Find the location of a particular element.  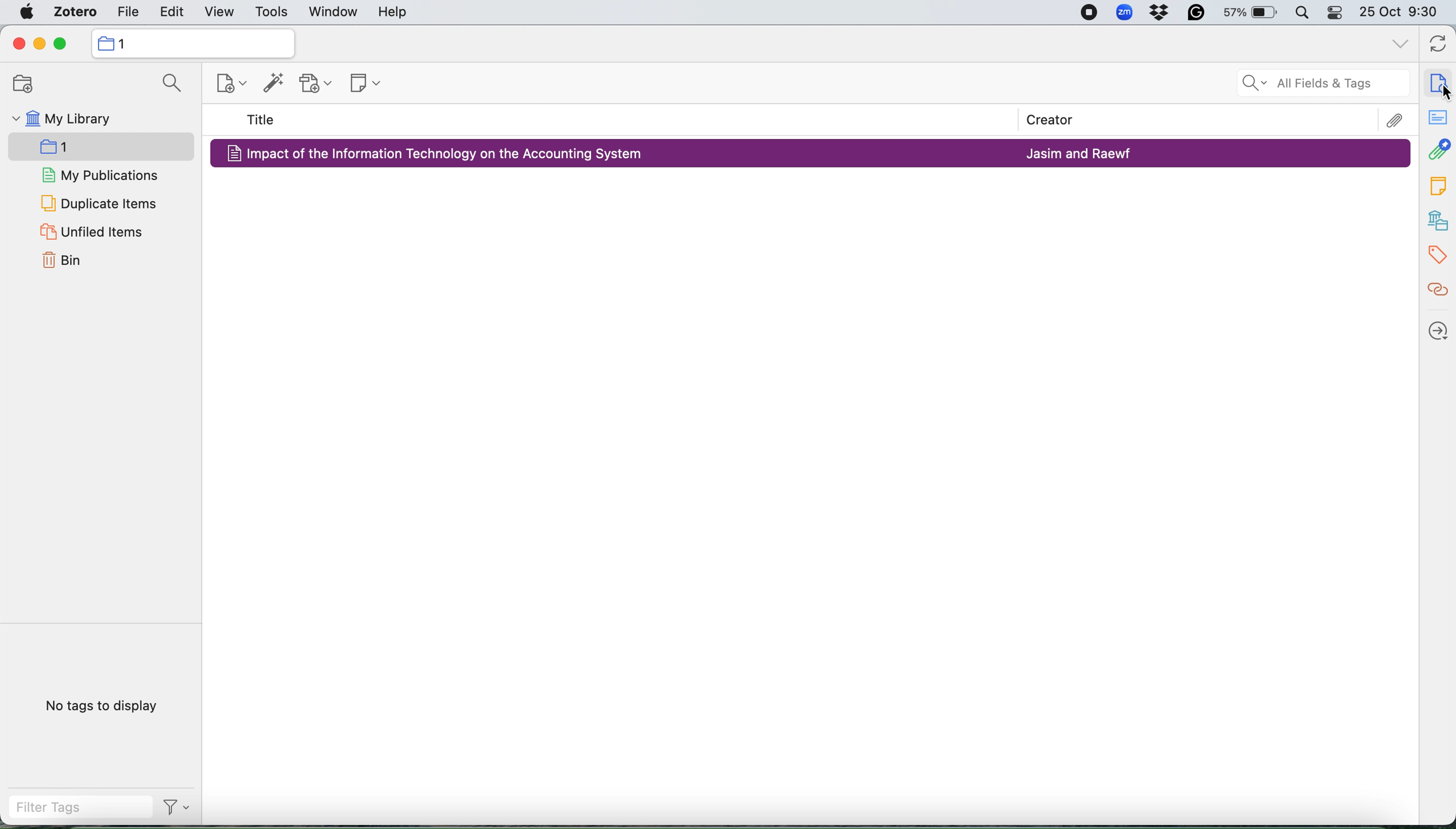

file is located at coordinates (127, 11).